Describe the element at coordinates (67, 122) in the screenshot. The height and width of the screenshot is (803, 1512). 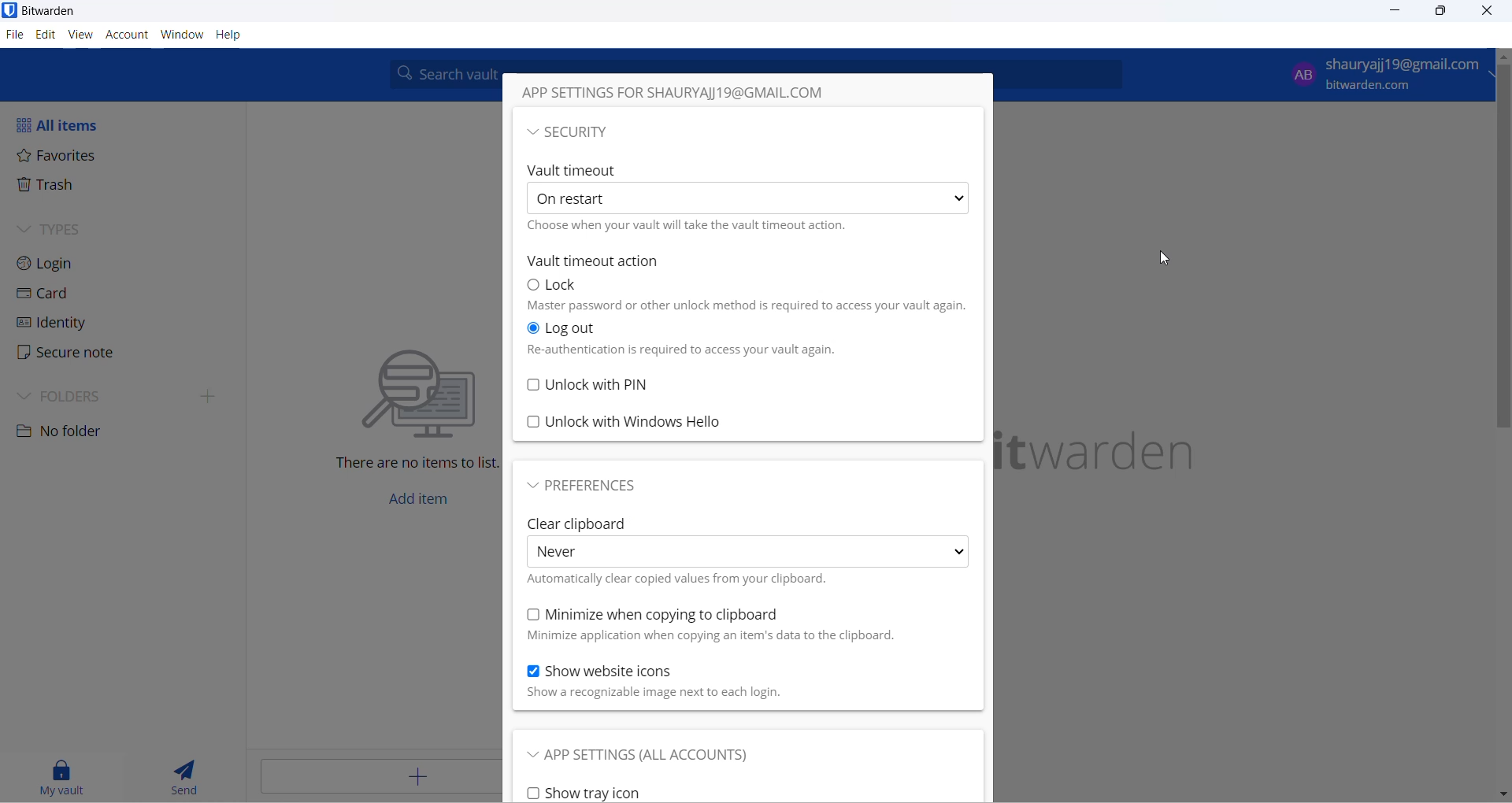
I see `All items` at that location.